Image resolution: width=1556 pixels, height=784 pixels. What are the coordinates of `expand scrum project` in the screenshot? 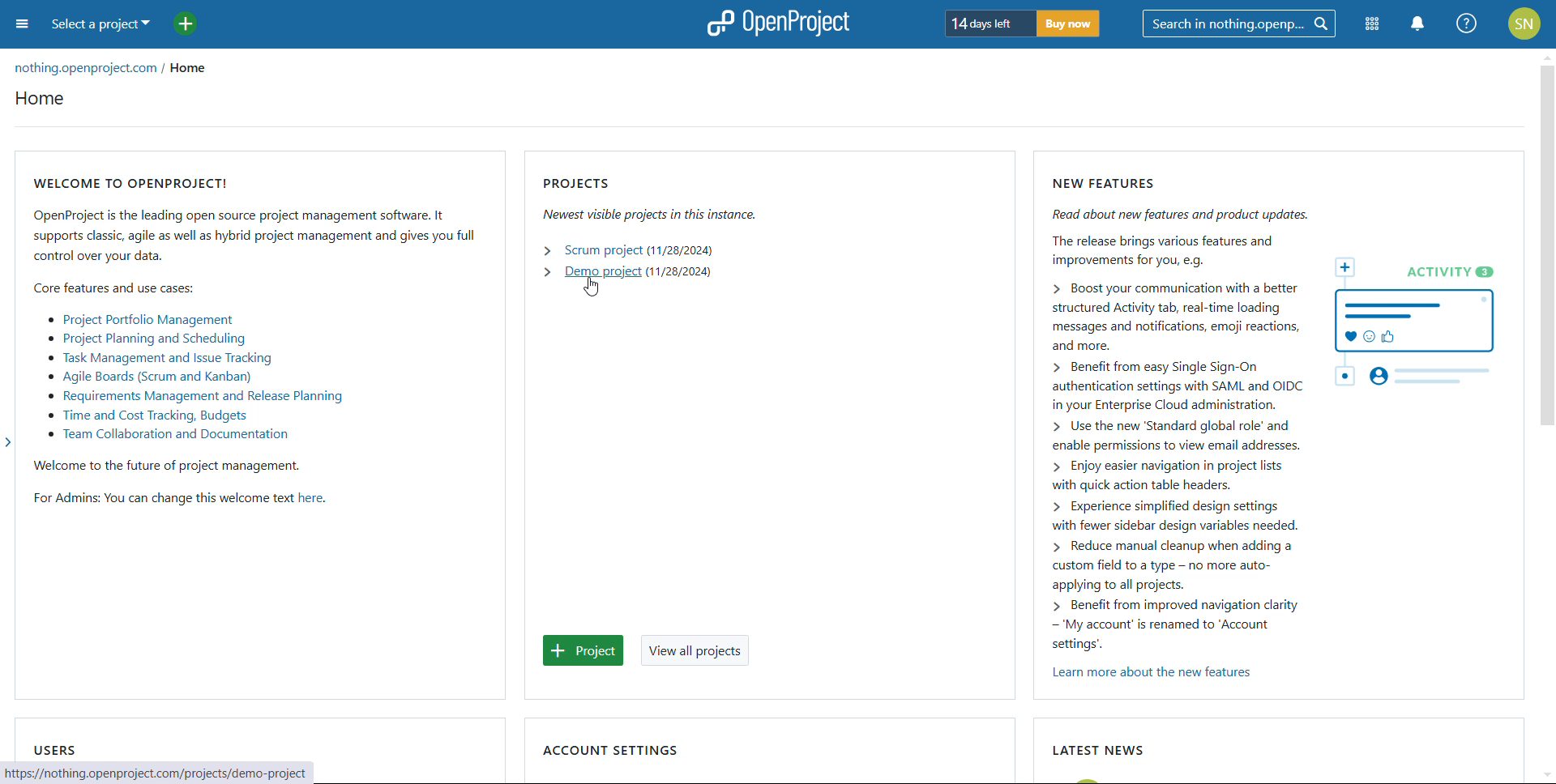 It's located at (549, 250).